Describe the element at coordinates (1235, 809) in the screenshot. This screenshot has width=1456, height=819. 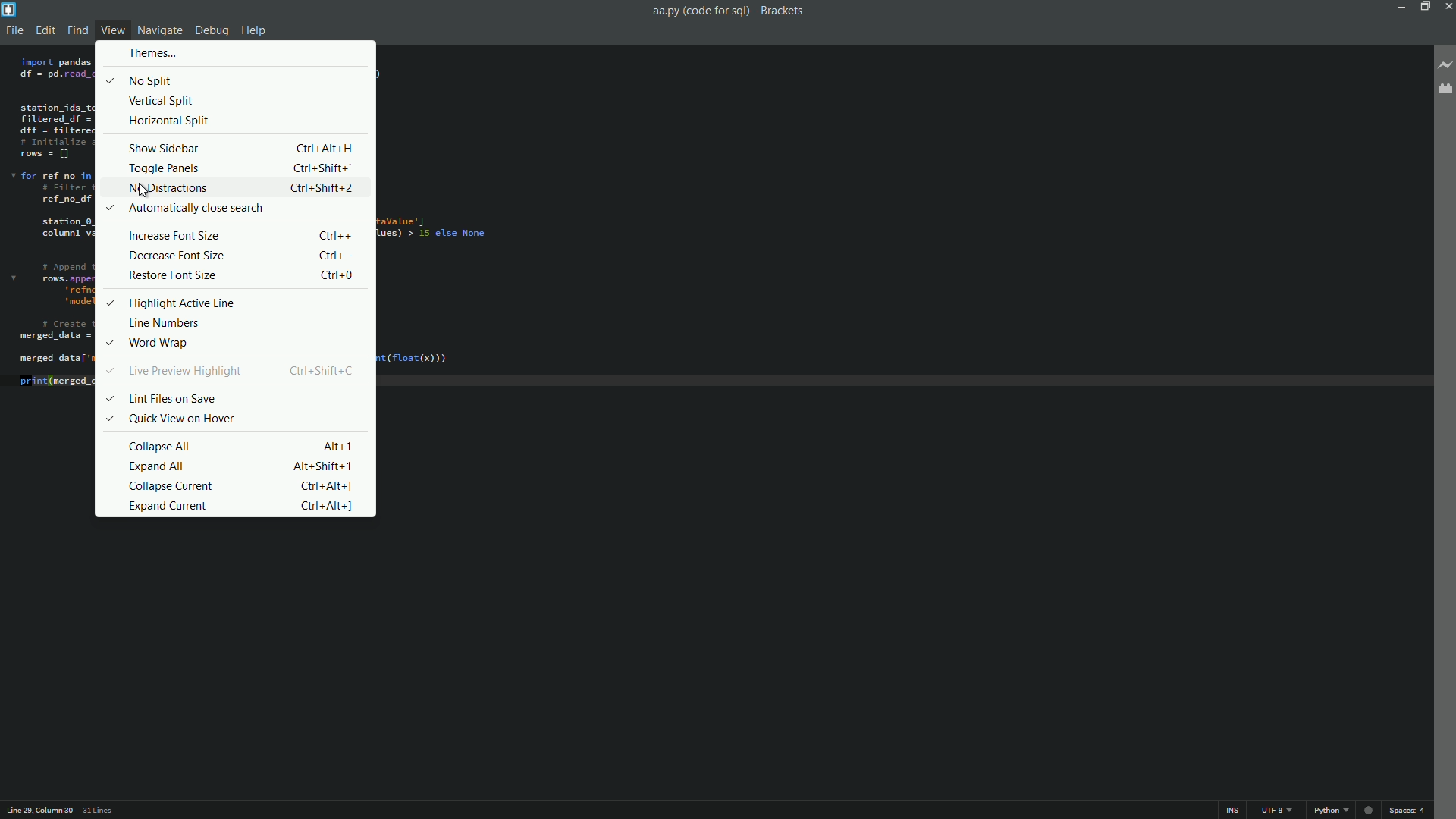
I see `ins` at that location.